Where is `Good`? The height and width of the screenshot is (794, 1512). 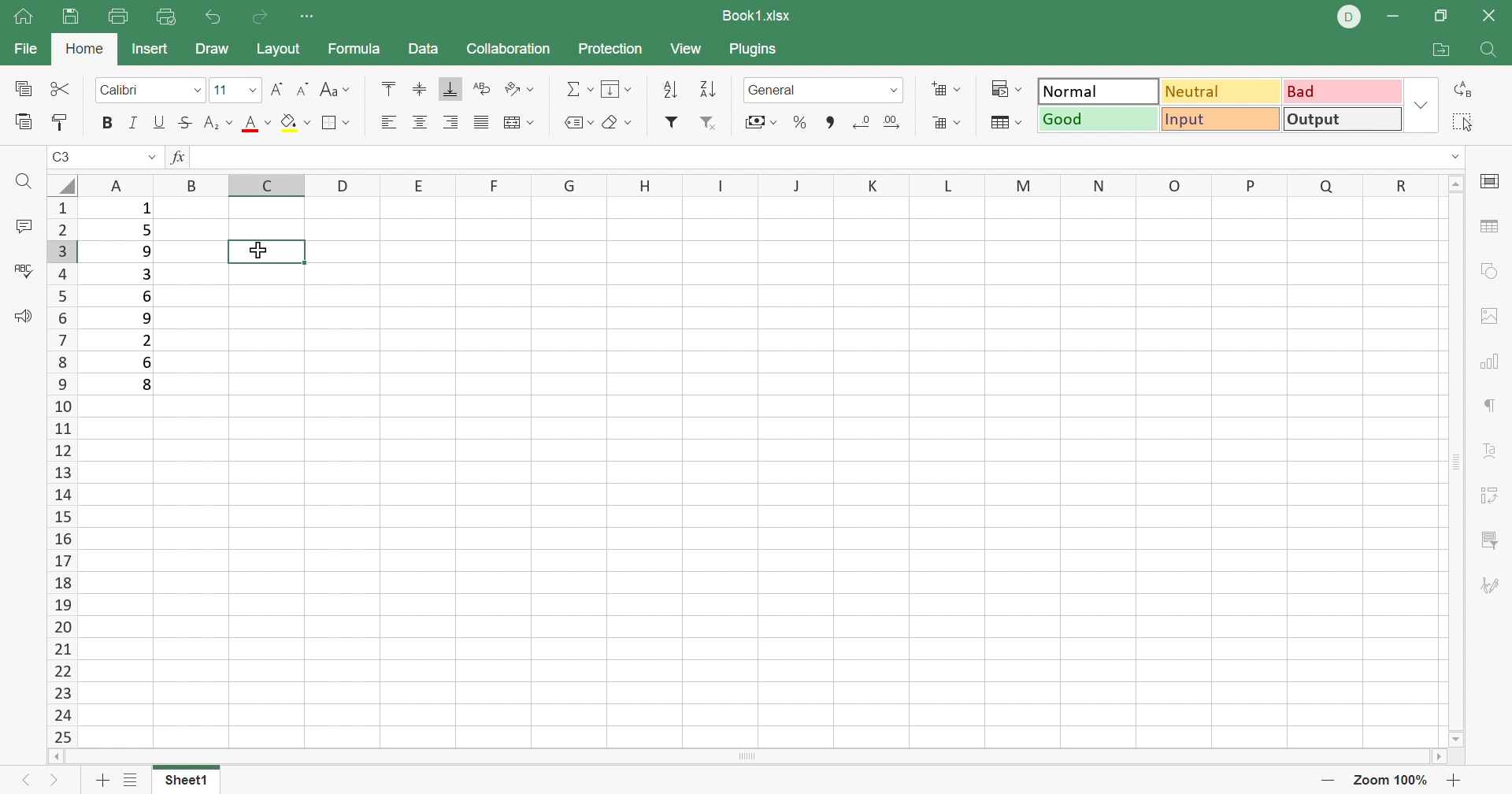
Good is located at coordinates (1097, 120).